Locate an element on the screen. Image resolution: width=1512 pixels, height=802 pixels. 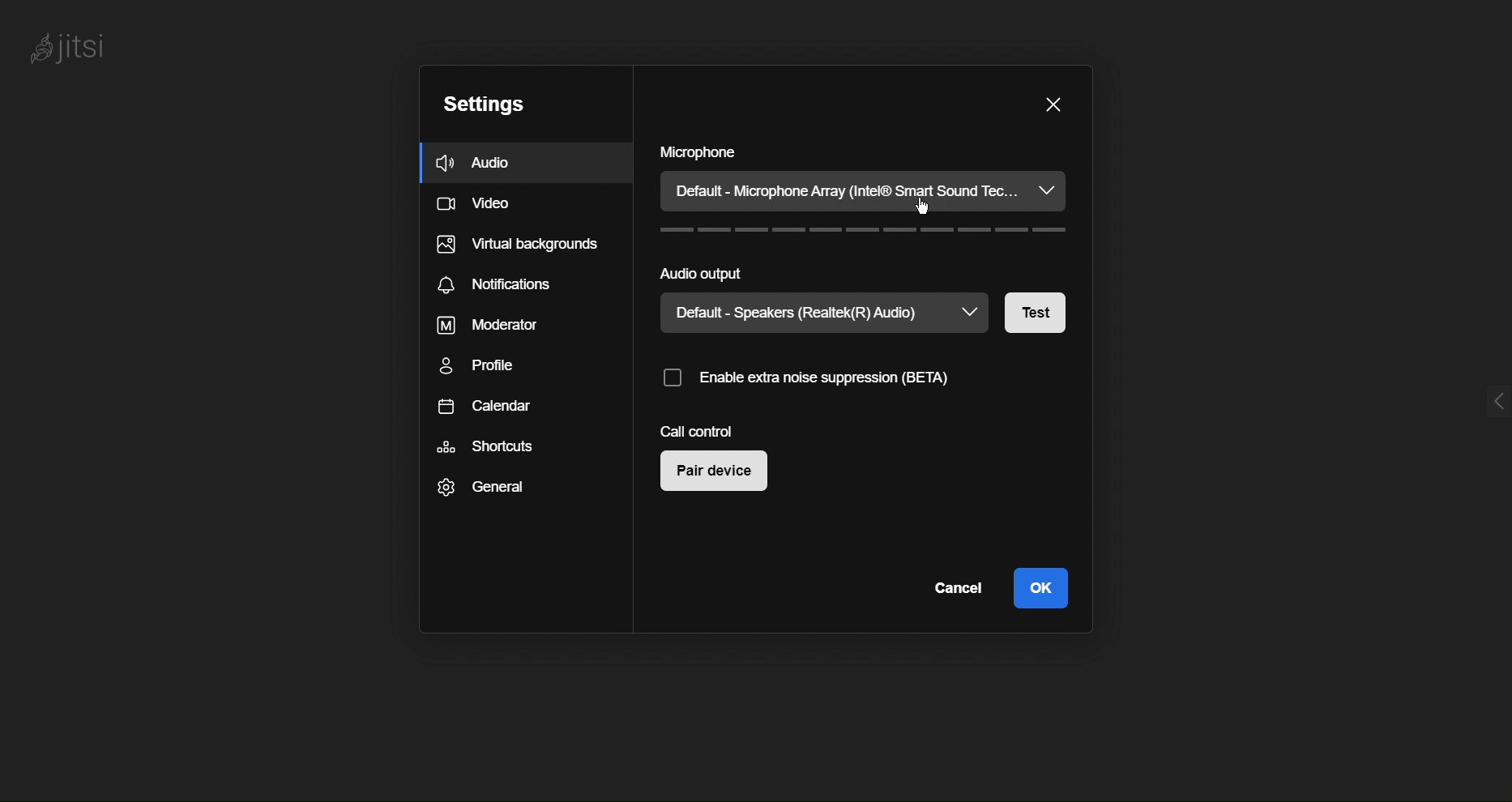
Calendar is located at coordinates (489, 411).